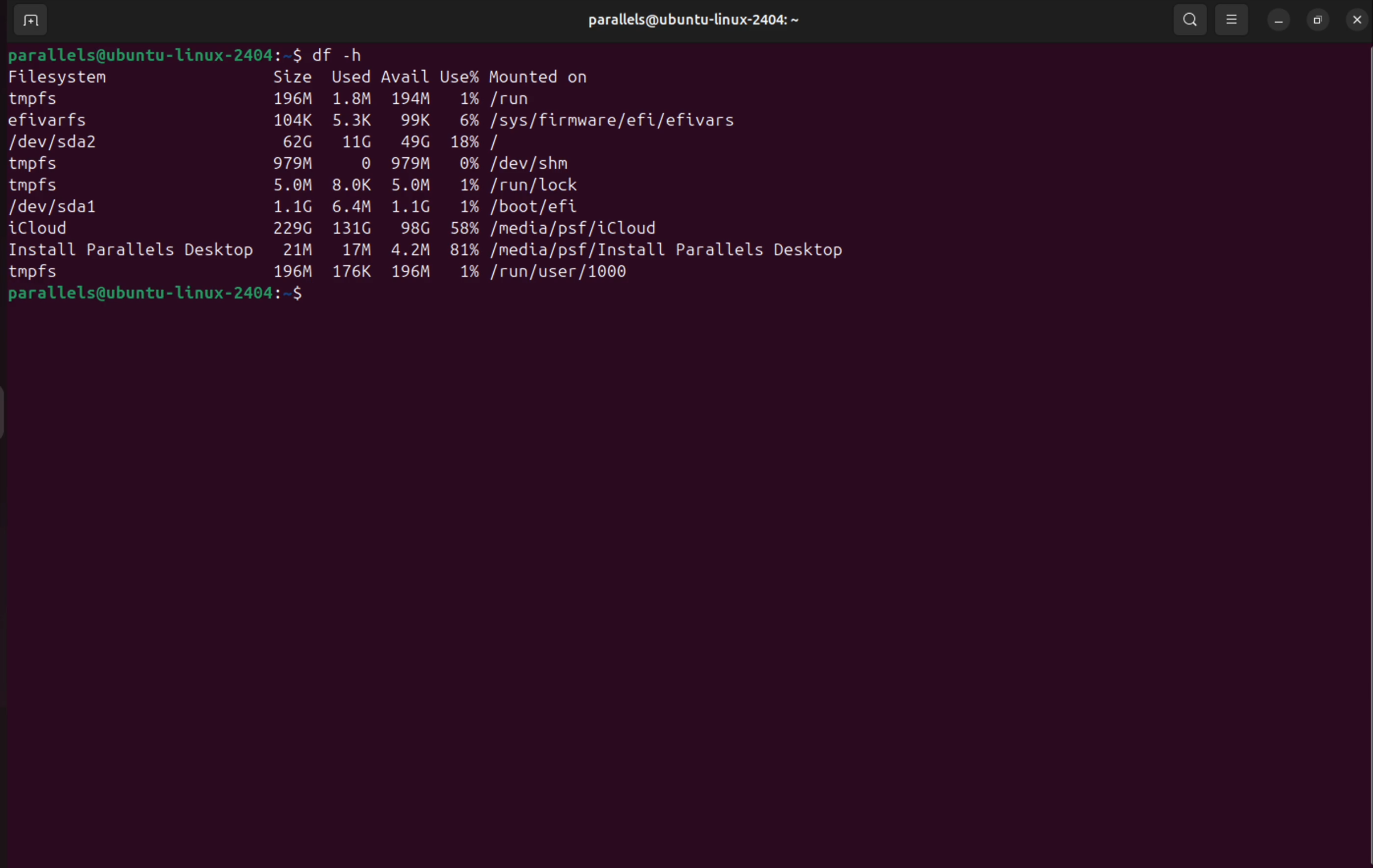 Image resolution: width=1373 pixels, height=868 pixels. Describe the element at coordinates (411, 185) in the screenshot. I see `5.0 m` at that location.